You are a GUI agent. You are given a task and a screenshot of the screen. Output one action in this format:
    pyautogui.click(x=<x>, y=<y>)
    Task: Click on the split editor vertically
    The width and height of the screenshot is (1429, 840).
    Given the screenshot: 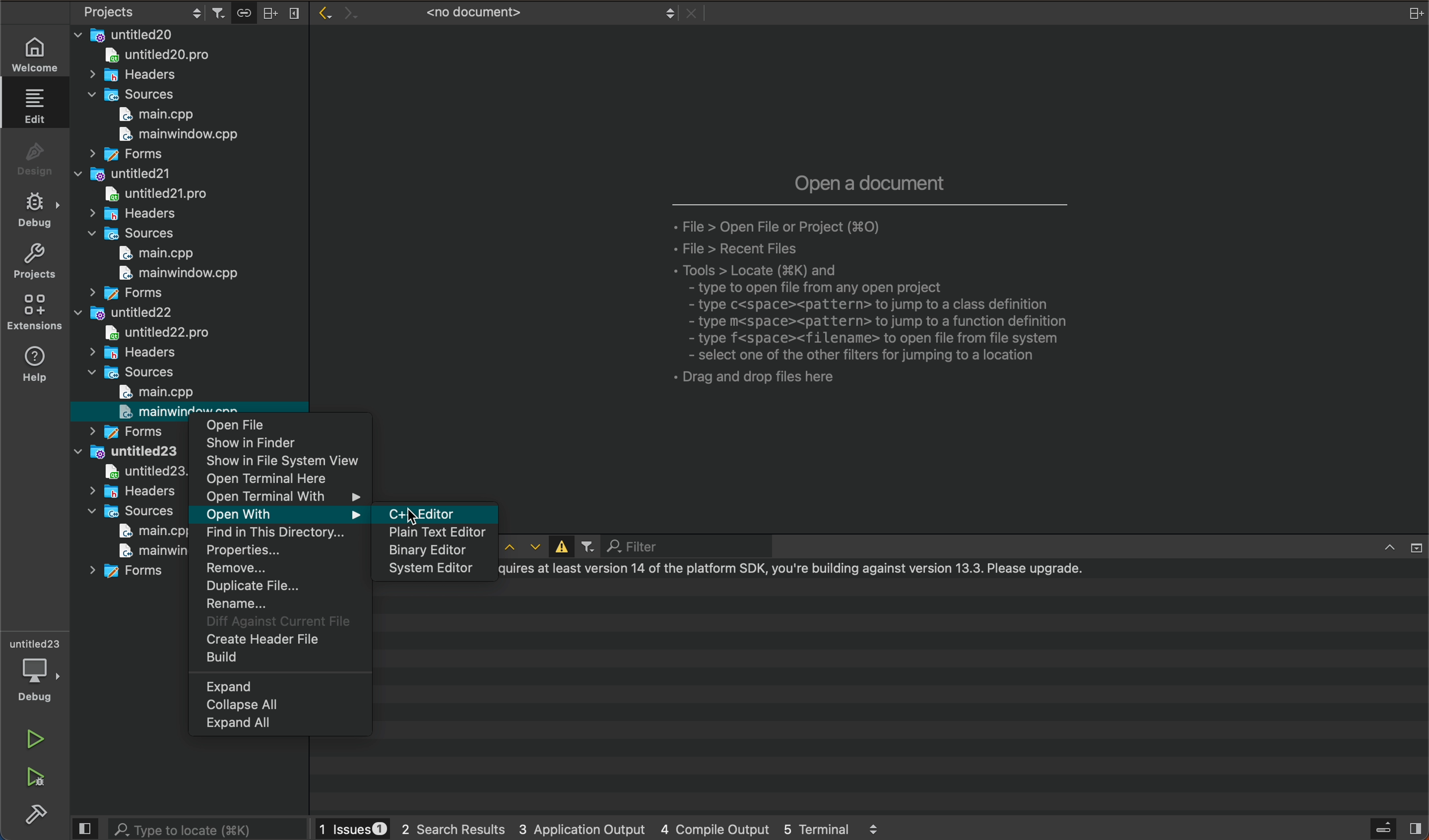 What is the action you would take?
    pyautogui.click(x=293, y=11)
    